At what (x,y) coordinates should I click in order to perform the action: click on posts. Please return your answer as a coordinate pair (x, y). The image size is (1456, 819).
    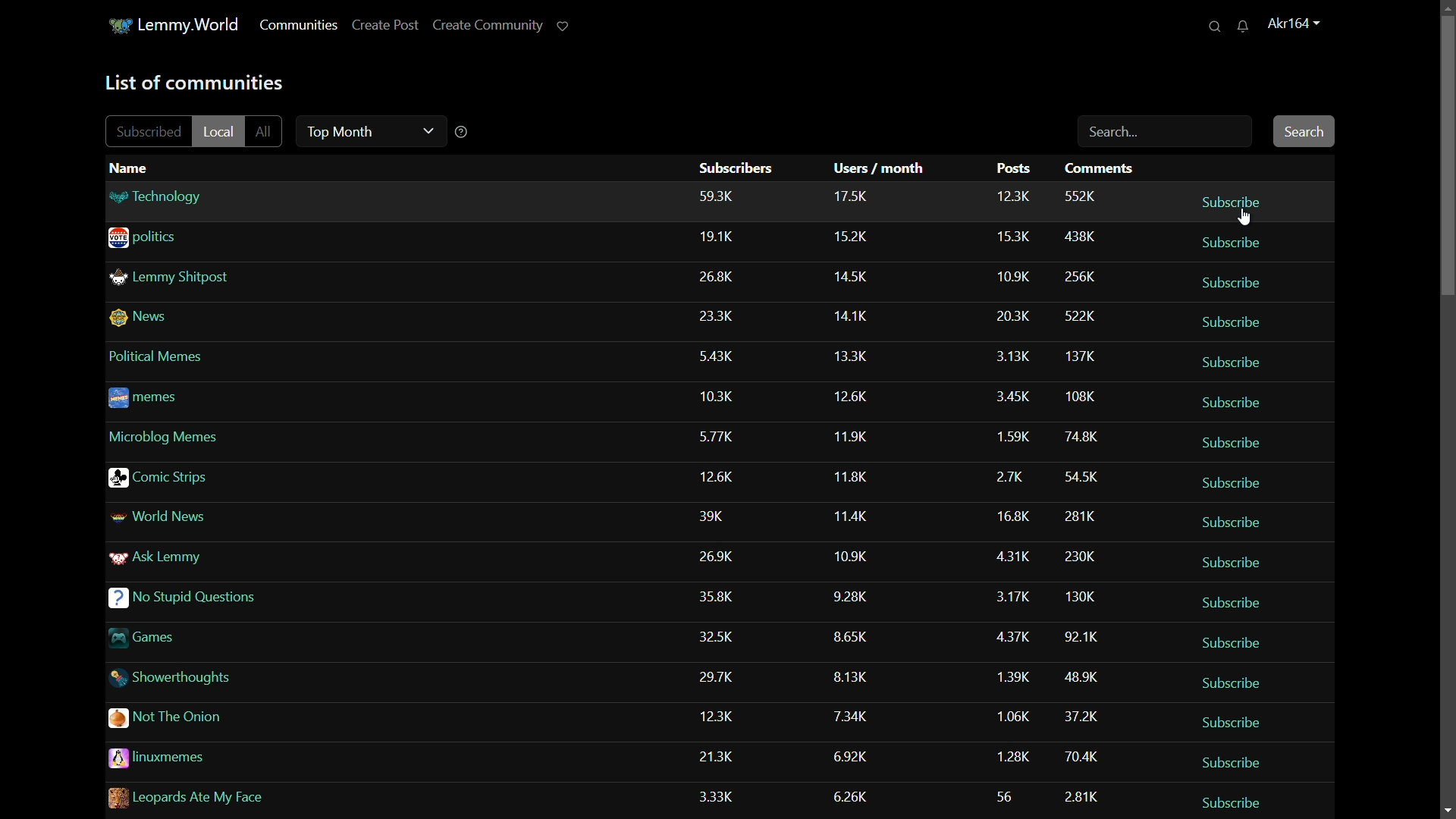
    Looking at the image, I should click on (1012, 472).